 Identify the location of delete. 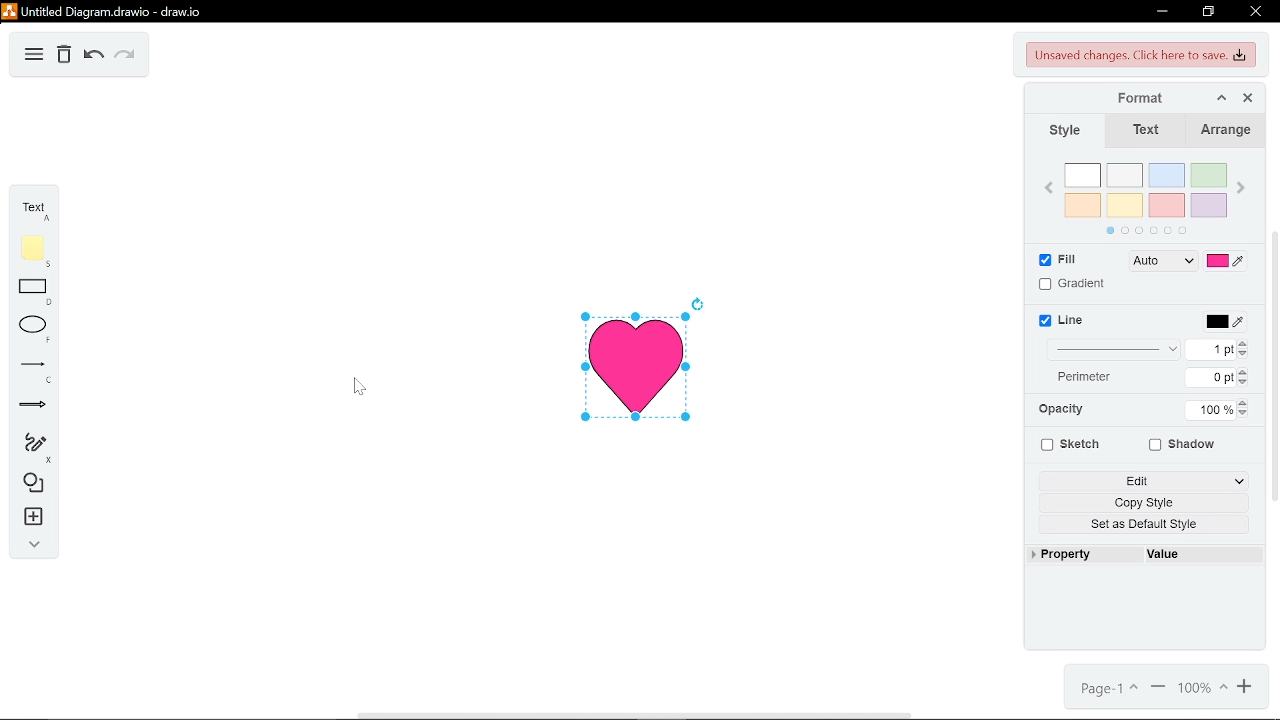
(66, 56).